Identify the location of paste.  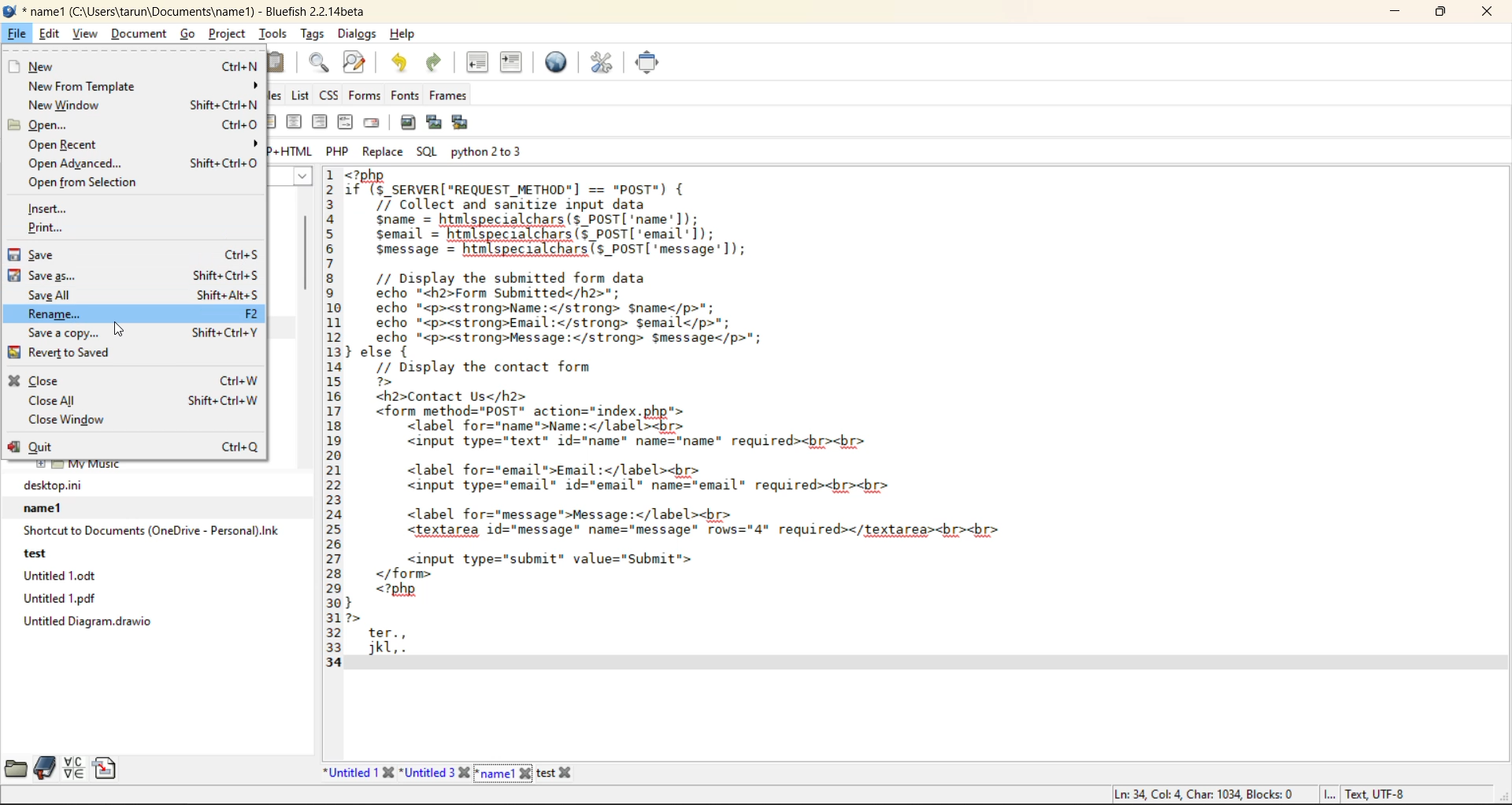
(281, 63).